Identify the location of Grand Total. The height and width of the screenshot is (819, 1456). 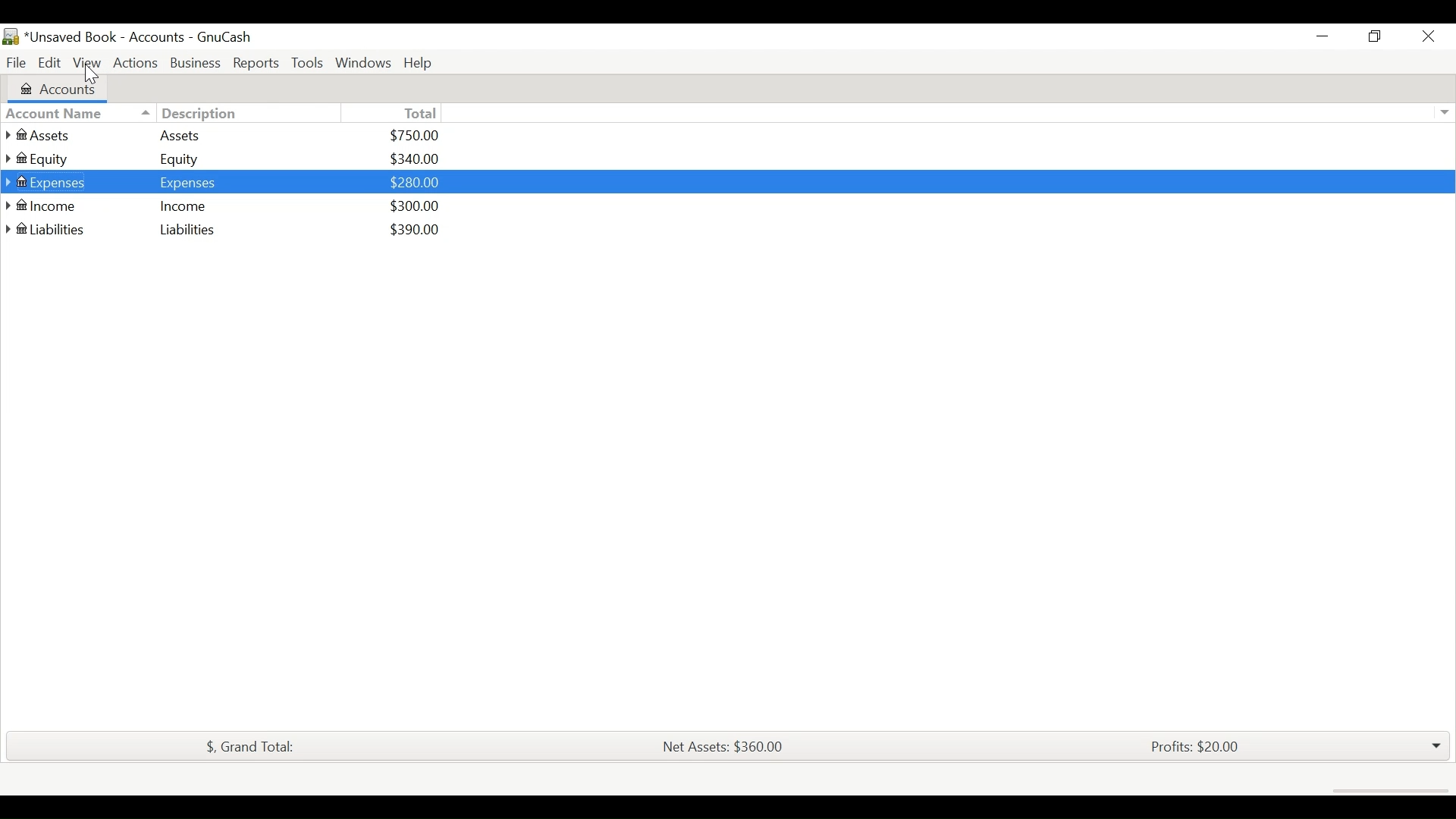
(246, 746).